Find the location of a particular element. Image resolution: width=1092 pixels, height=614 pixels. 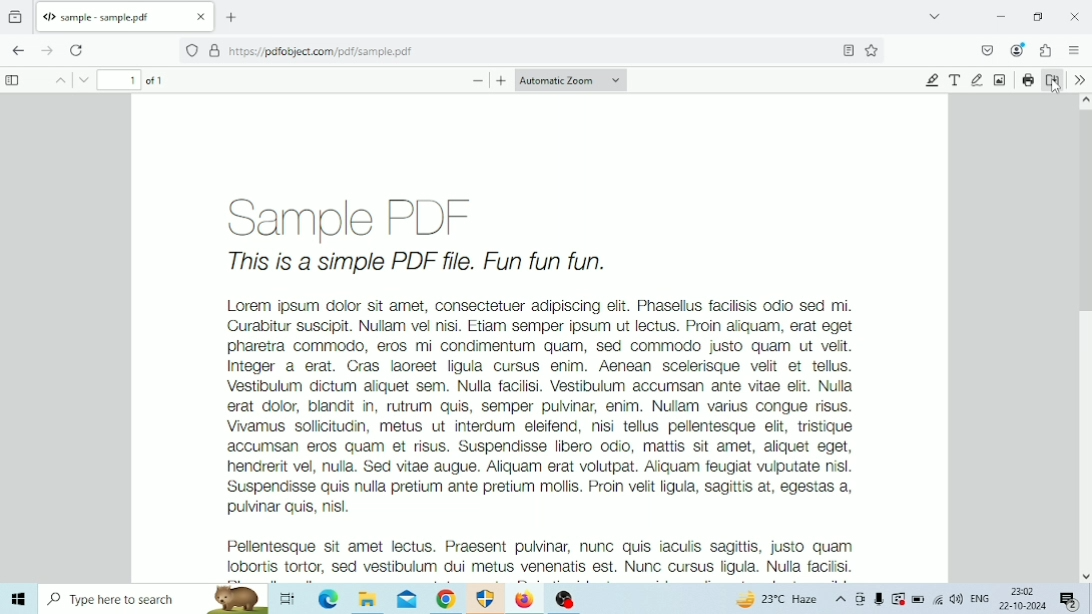

Print is located at coordinates (1029, 80).